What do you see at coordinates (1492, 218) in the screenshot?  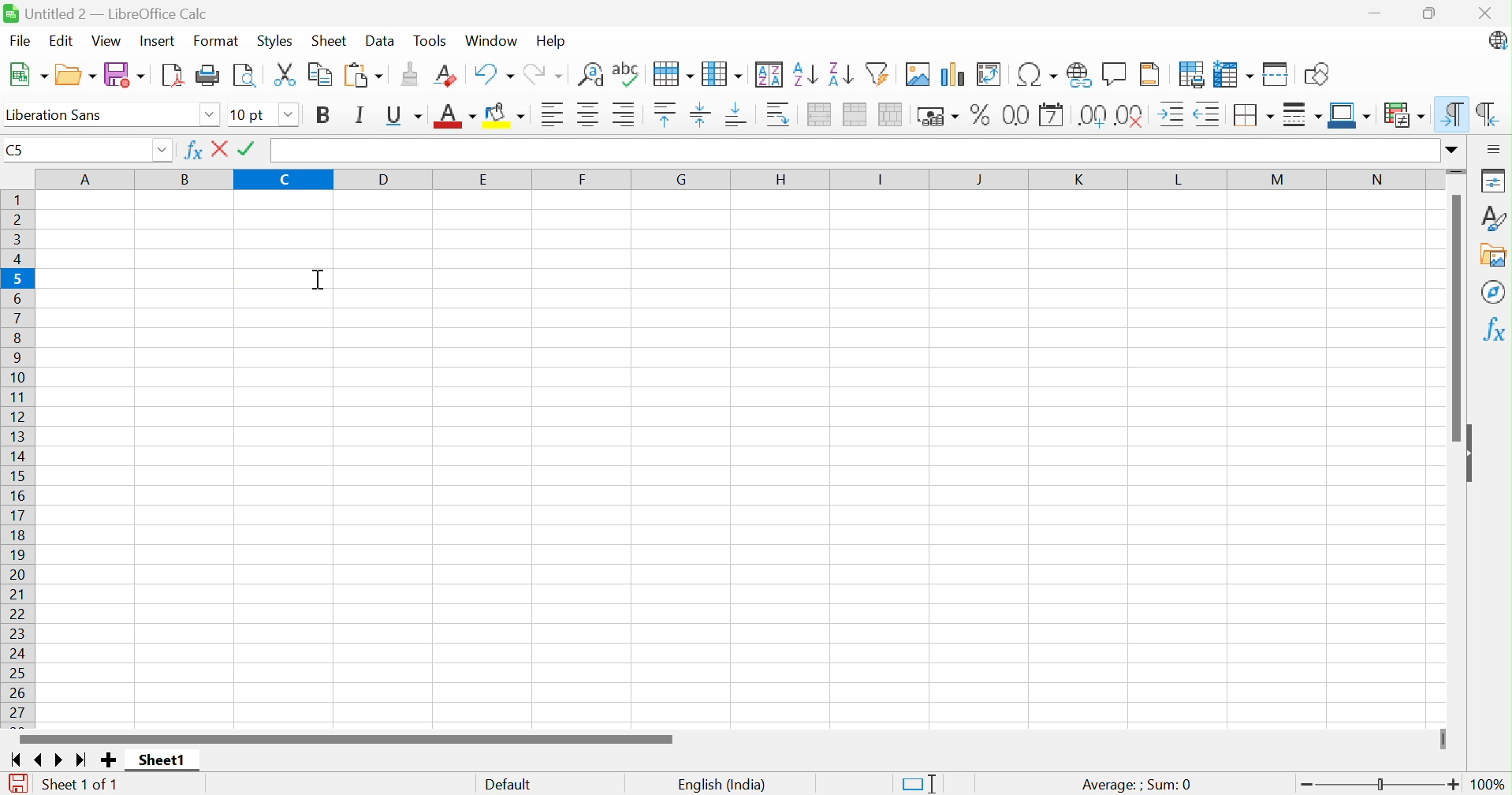 I see `Styles` at bounding box center [1492, 218].